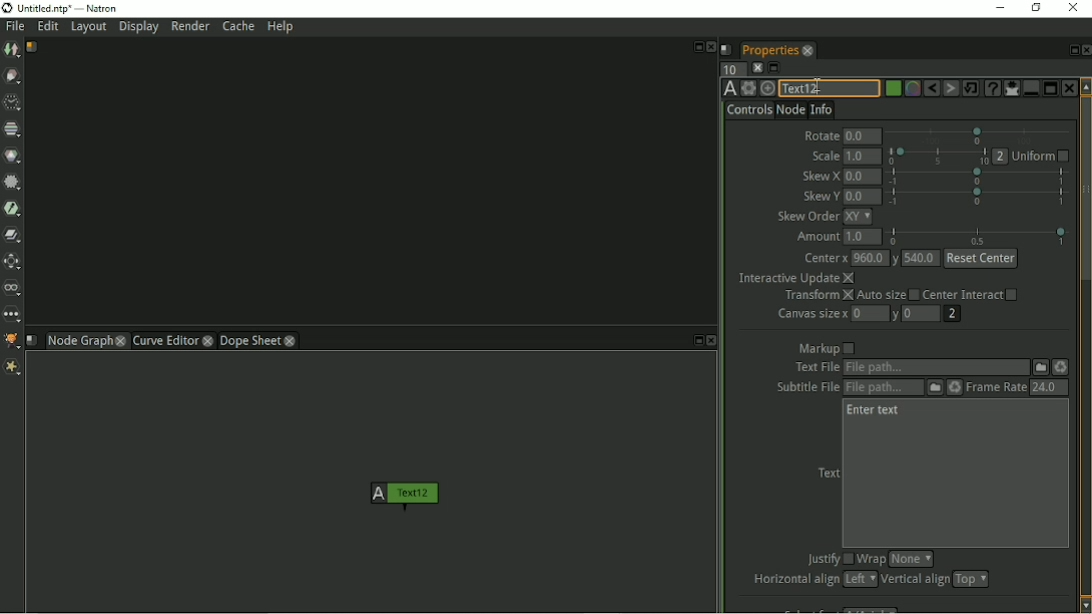  What do you see at coordinates (15, 27) in the screenshot?
I see `File` at bounding box center [15, 27].